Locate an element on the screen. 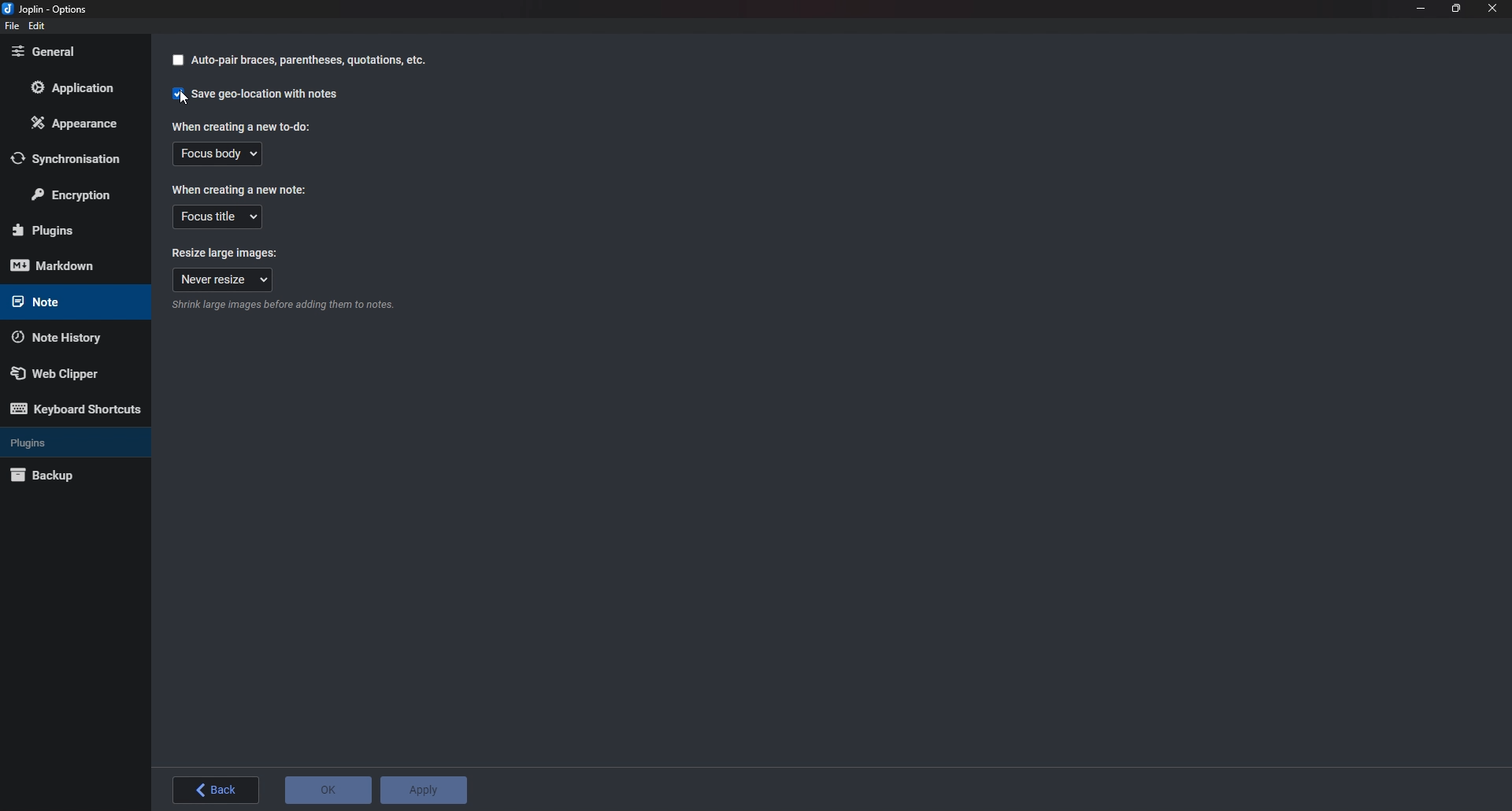 The image size is (1512, 811). Encryption is located at coordinates (80, 192).